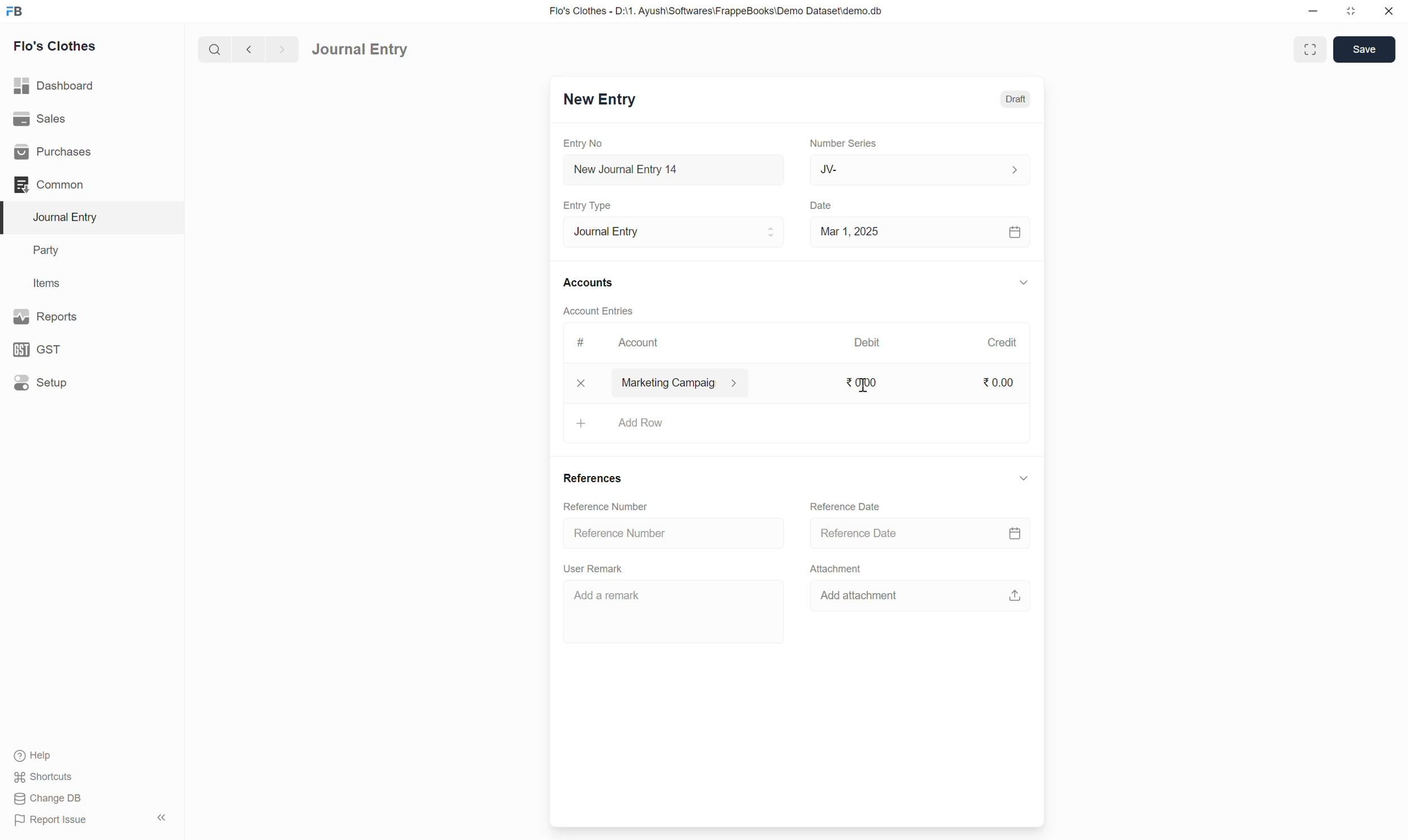 The image size is (1408, 840). I want to click on Change DB, so click(48, 798).